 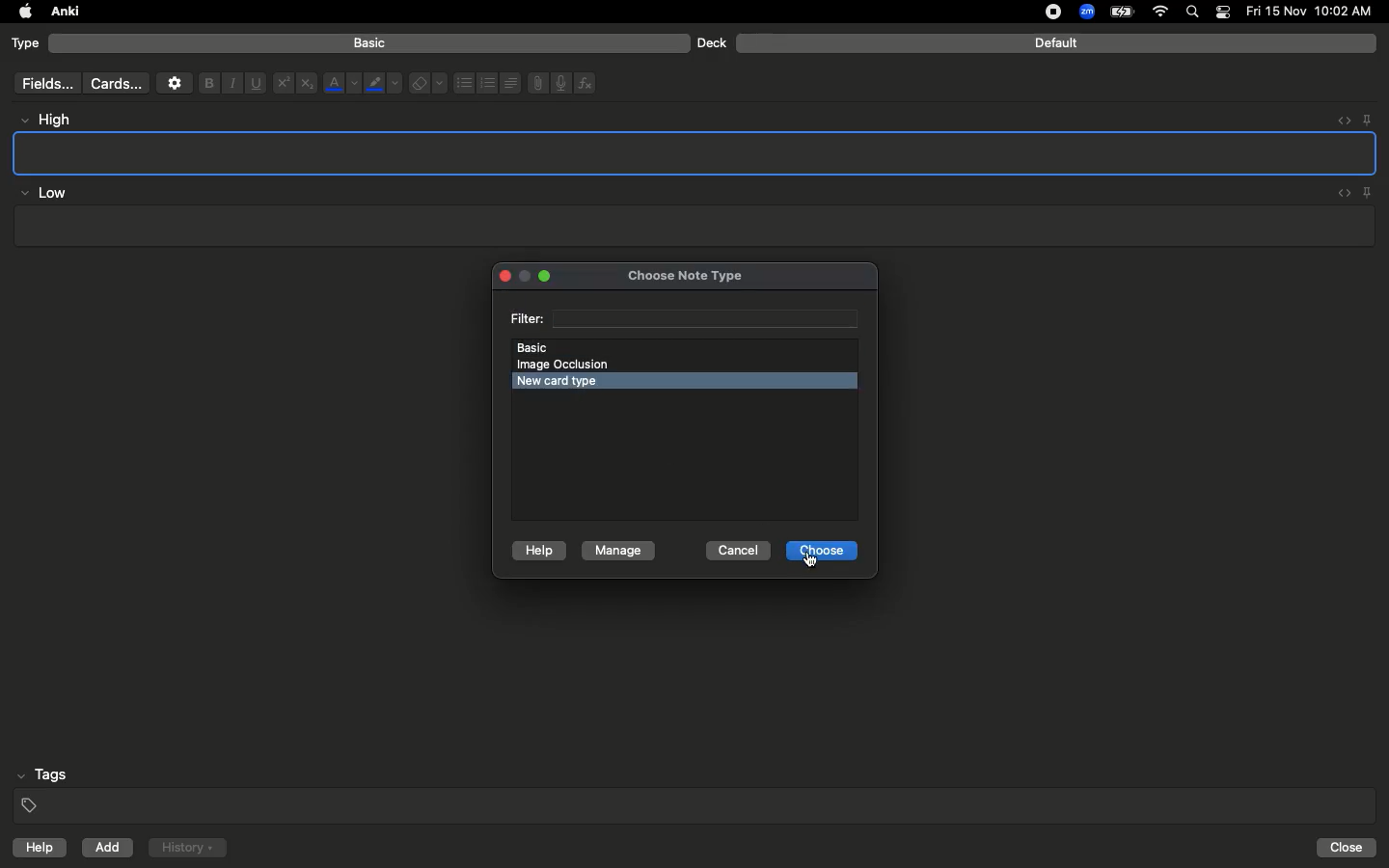 I want to click on Marker, so click(x=383, y=85).